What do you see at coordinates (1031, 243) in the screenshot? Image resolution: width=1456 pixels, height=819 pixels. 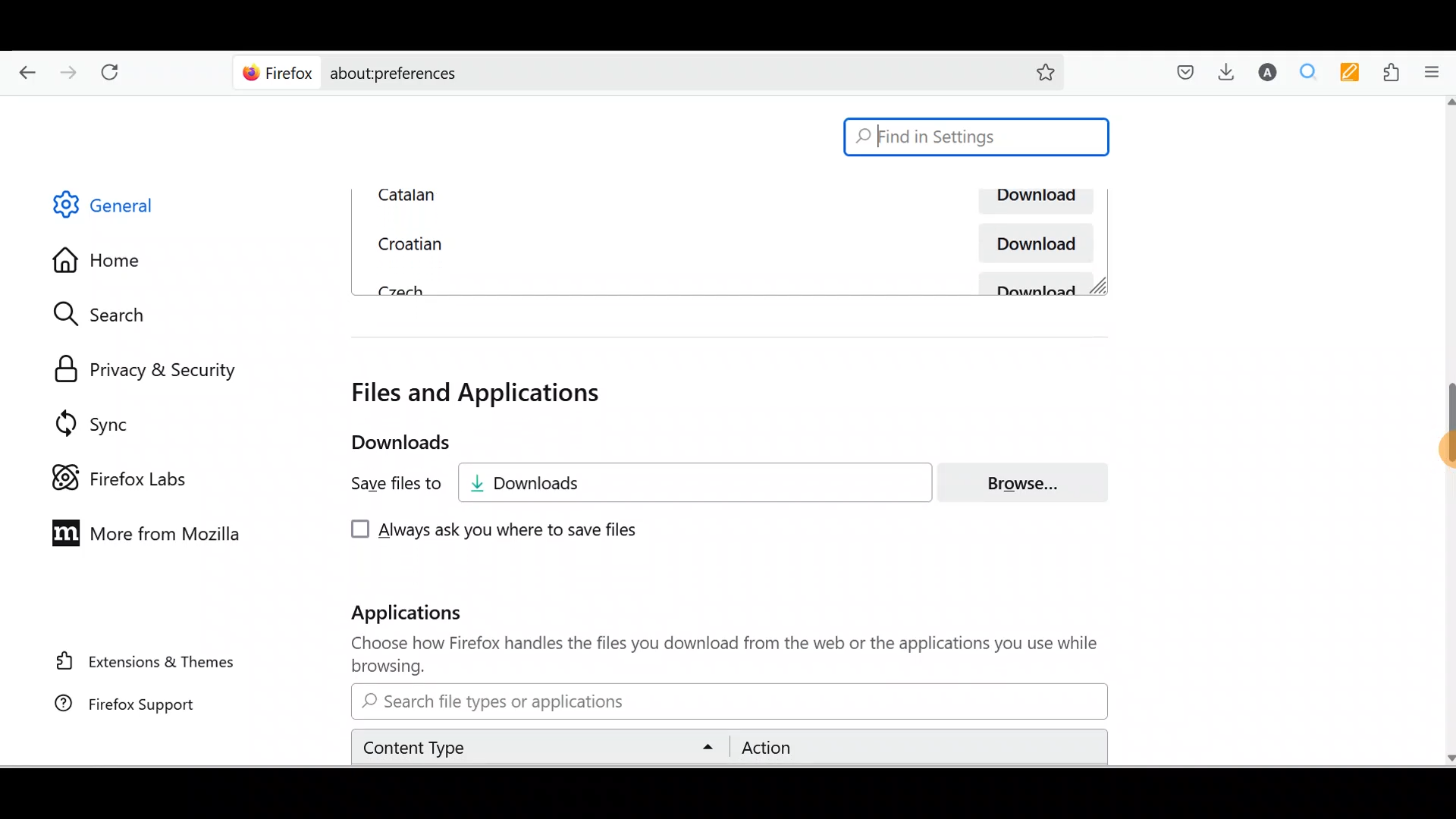 I see `Download` at bounding box center [1031, 243].